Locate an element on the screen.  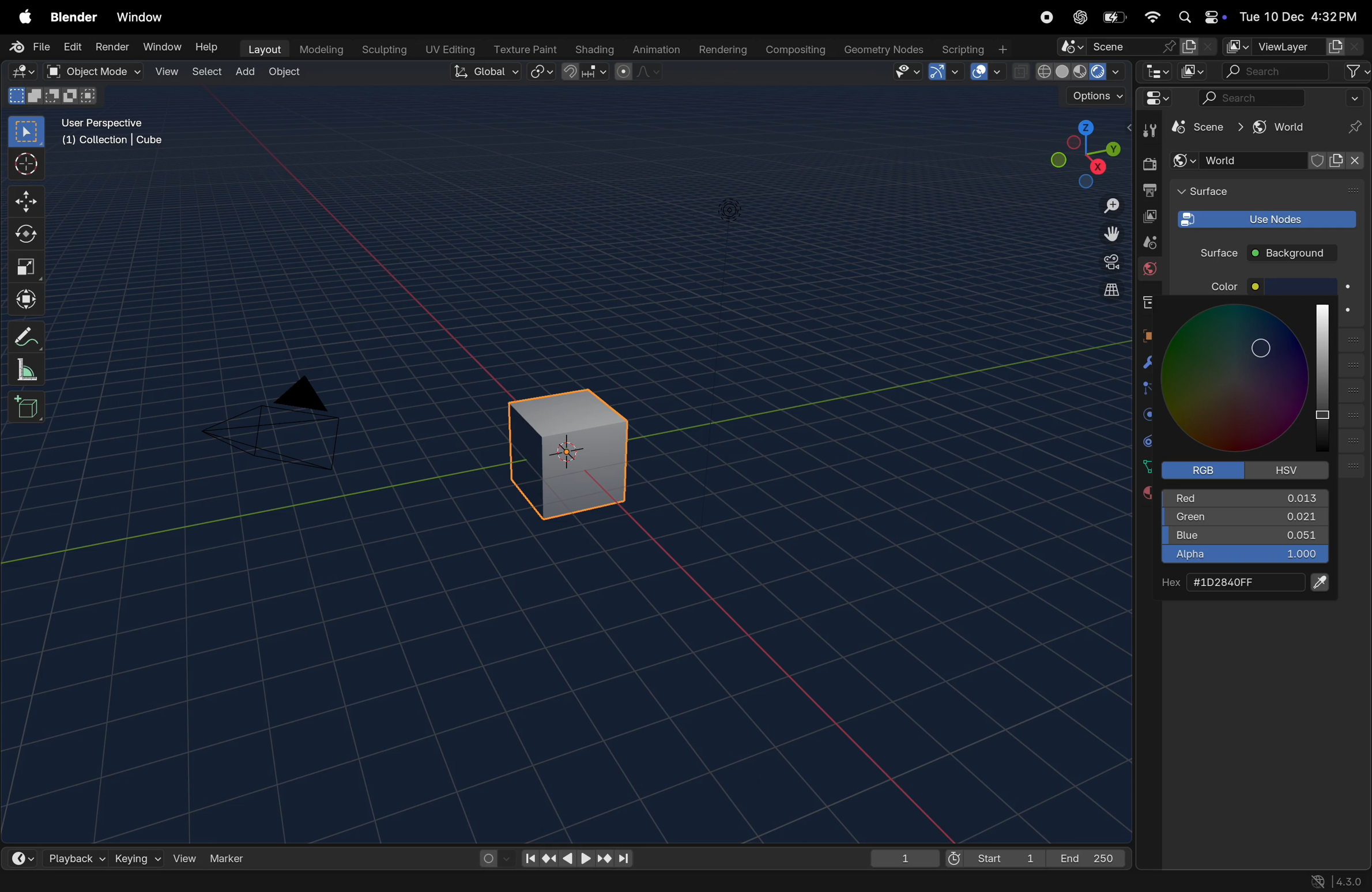
Geometry notes is located at coordinates (882, 49).